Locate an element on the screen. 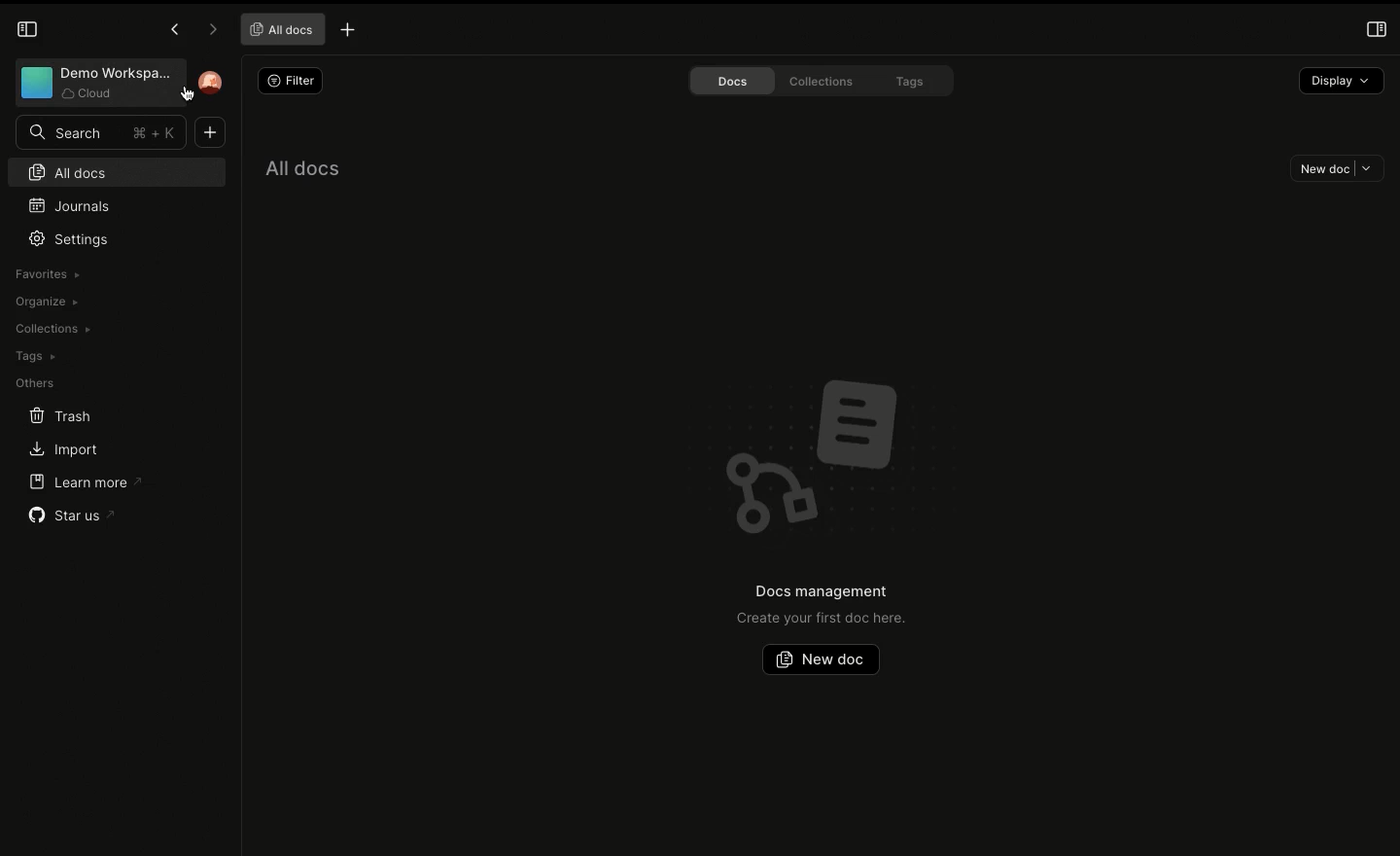  Collections is located at coordinates (52, 329).